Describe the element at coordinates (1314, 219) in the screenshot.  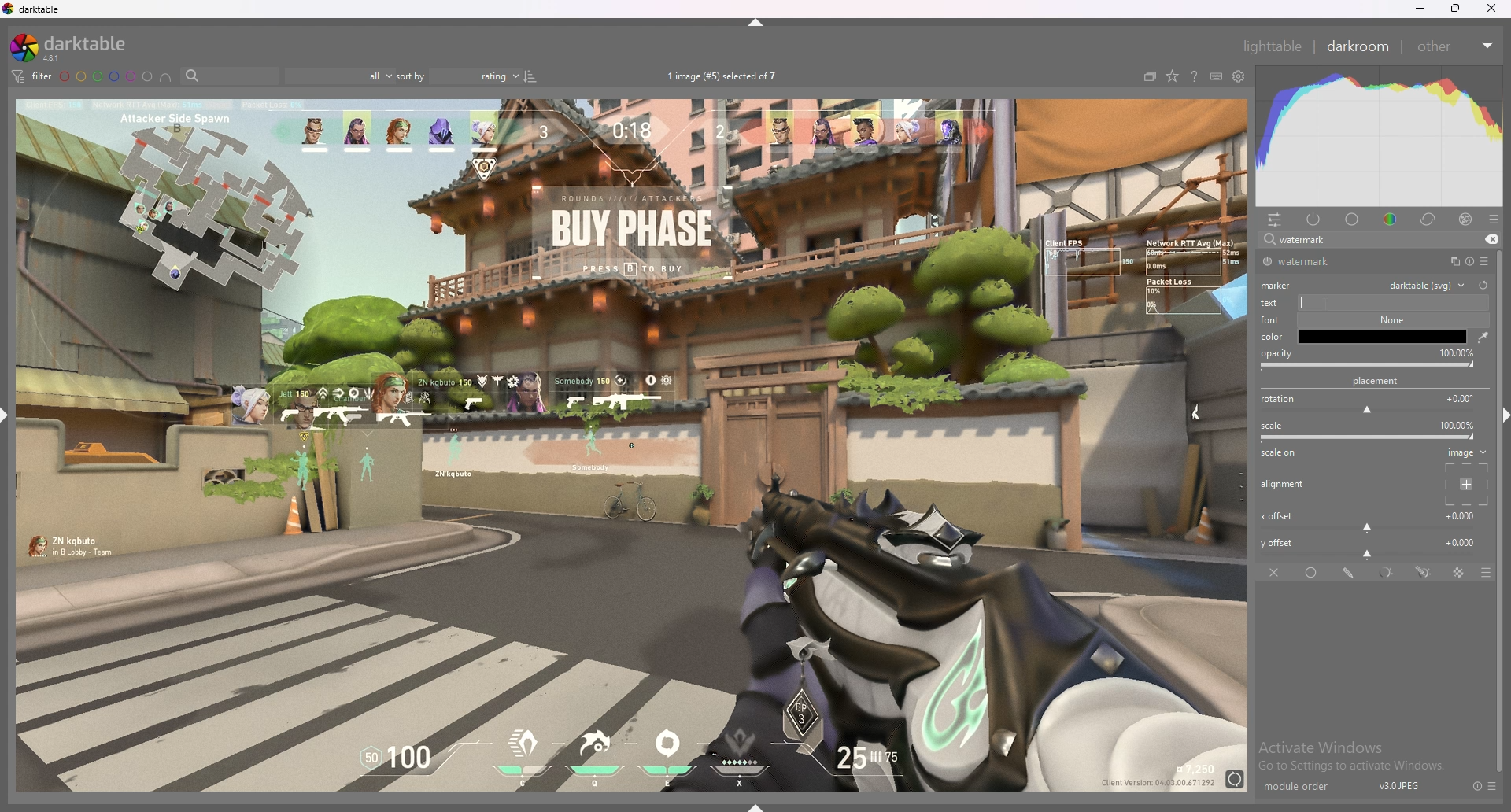
I see `active module` at that location.